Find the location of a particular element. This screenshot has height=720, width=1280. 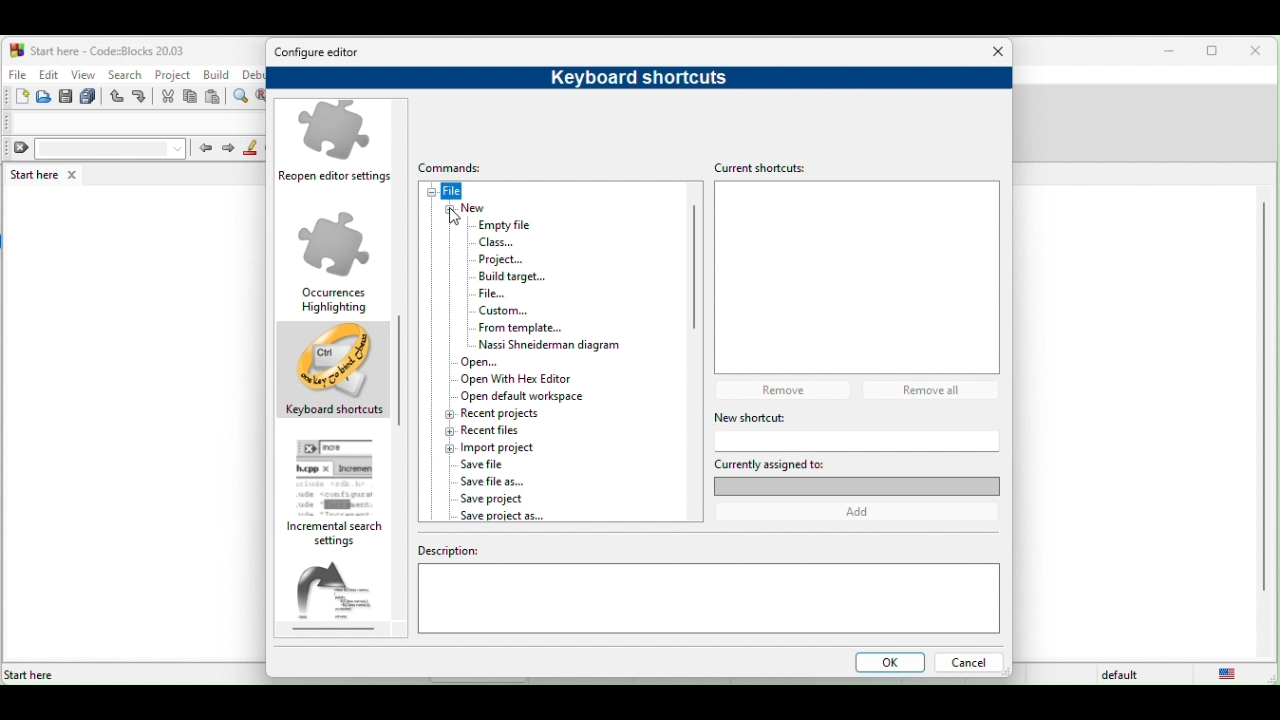

reopen editor settings is located at coordinates (338, 145).